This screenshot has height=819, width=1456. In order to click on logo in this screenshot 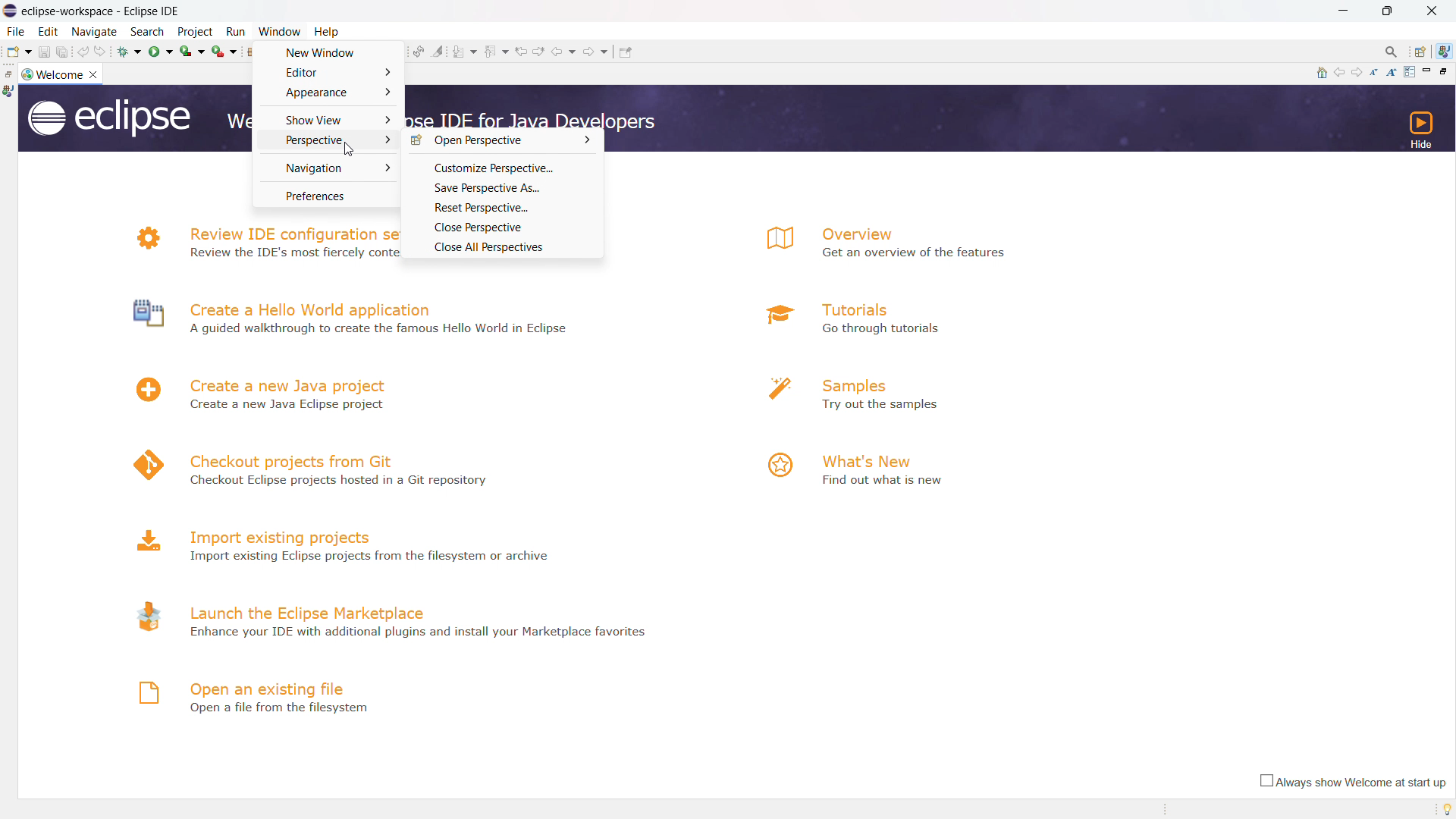, I will do `click(140, 238)`.